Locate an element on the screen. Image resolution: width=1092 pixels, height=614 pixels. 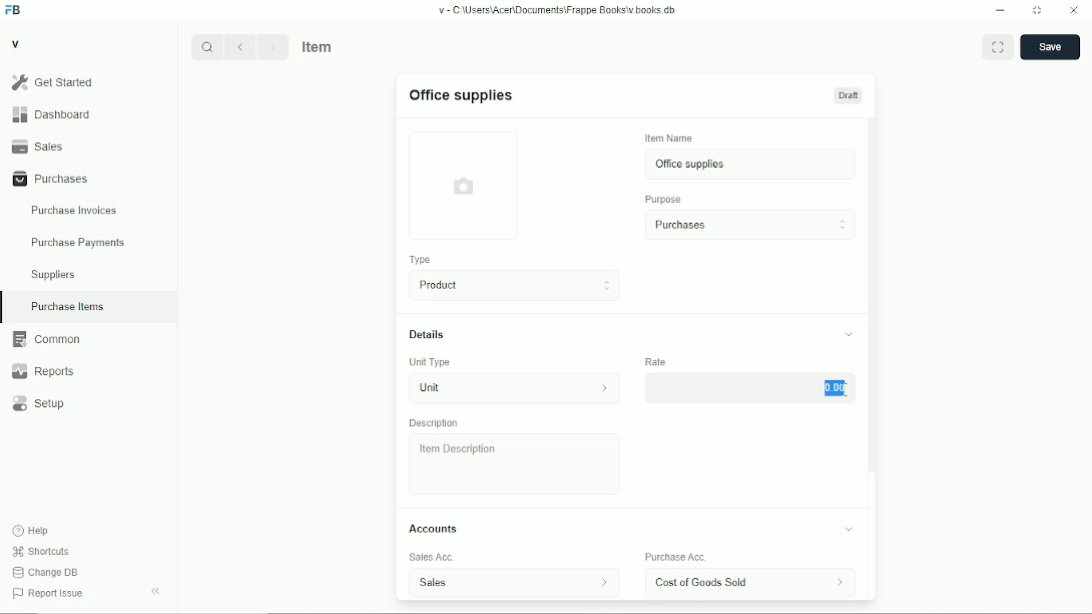
v-C:\Users\Acer\Documents\Frappe books\v.books.db is located at coordinates (558, 10).